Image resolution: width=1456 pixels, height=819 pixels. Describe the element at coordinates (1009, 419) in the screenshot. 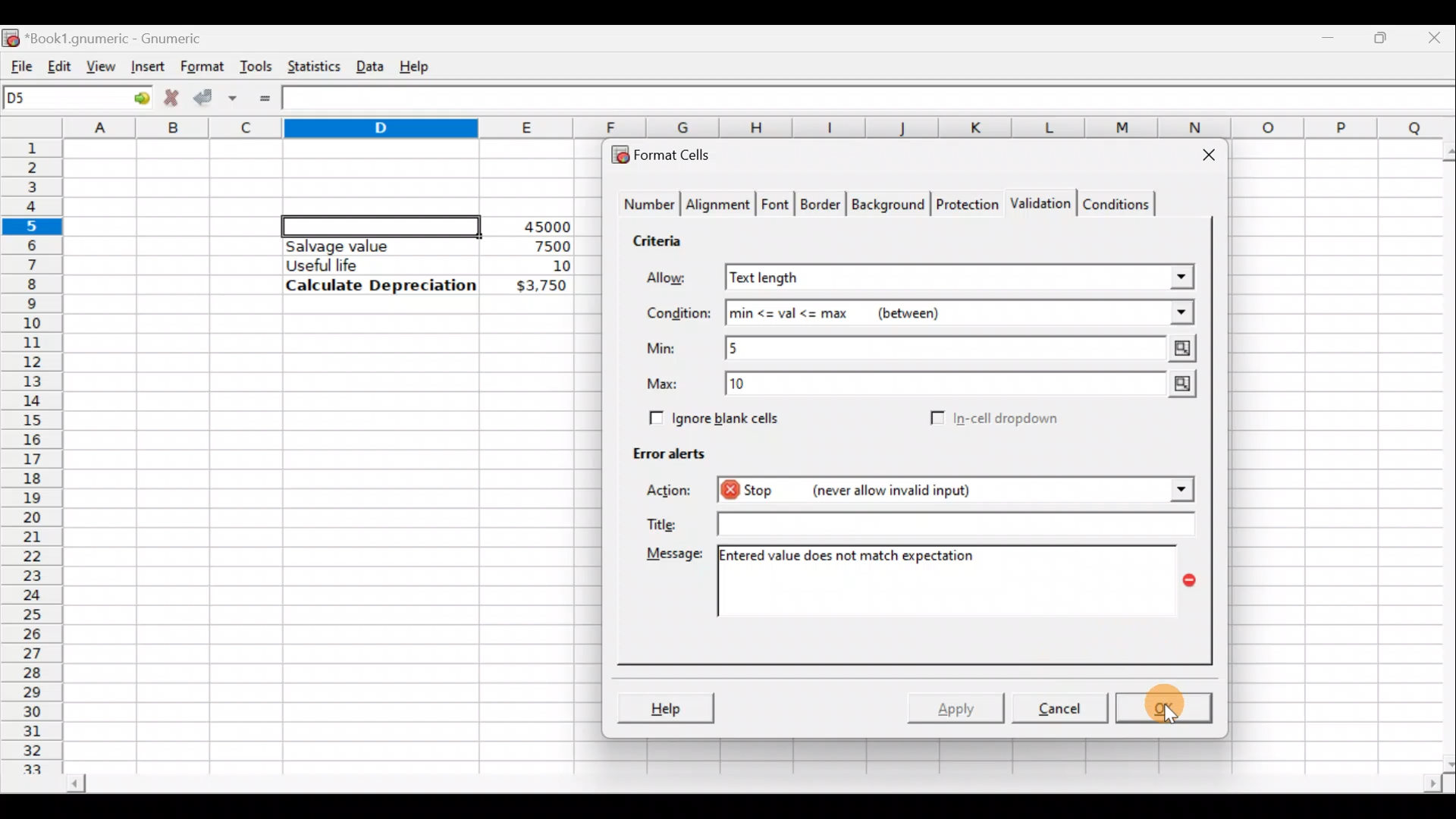

I see `In-cell dropdown` at that location.